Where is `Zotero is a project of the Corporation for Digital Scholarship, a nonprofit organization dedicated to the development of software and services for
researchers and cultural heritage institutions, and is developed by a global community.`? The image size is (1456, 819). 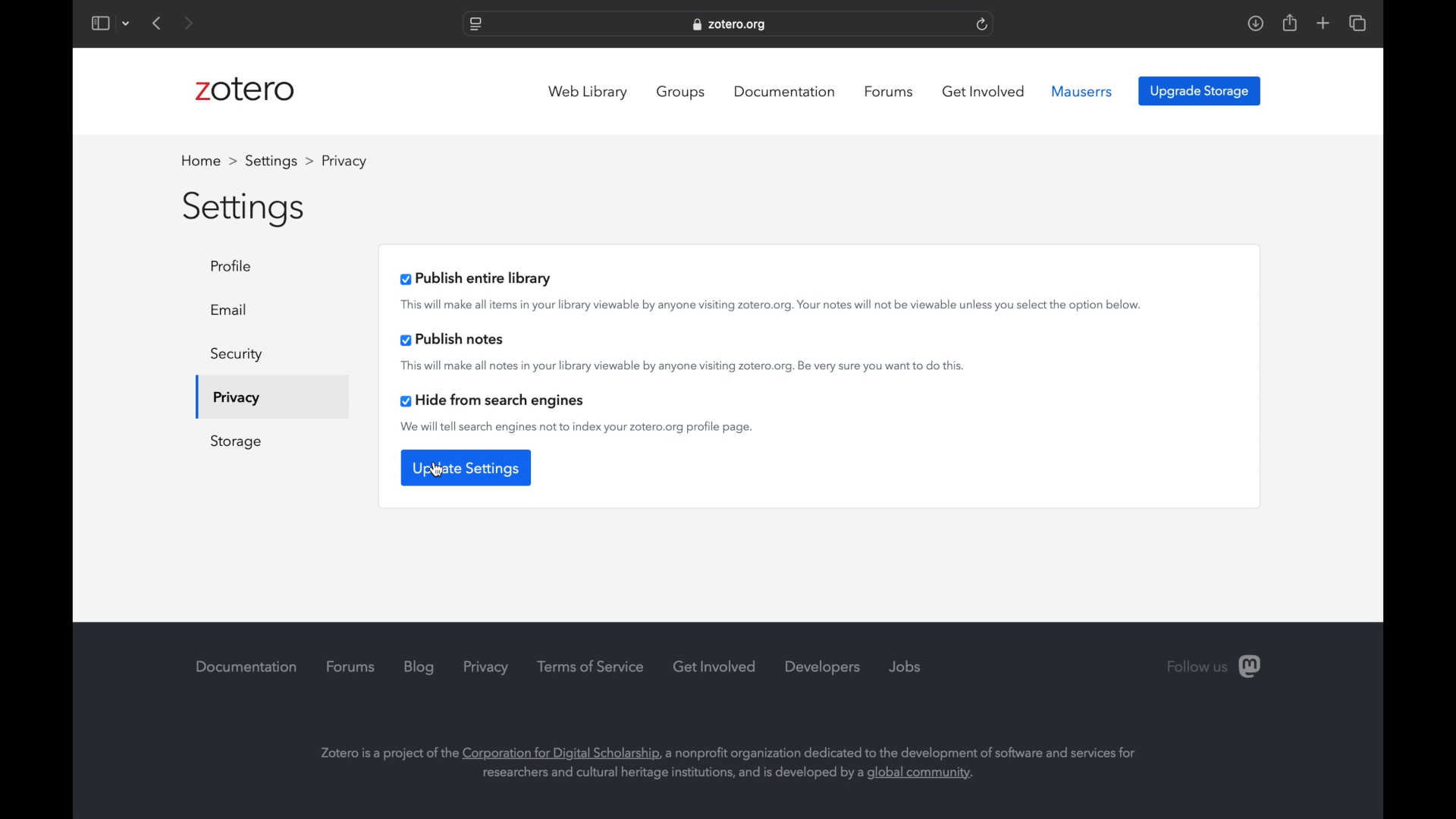 Zotero is a project of the Corporation for Digital Scholarship, a nonprofit organization dedicated to the development of software and services for
researchers and cultural heritage institutions, and is developed by a global community. is located at coordinates (745, 765).